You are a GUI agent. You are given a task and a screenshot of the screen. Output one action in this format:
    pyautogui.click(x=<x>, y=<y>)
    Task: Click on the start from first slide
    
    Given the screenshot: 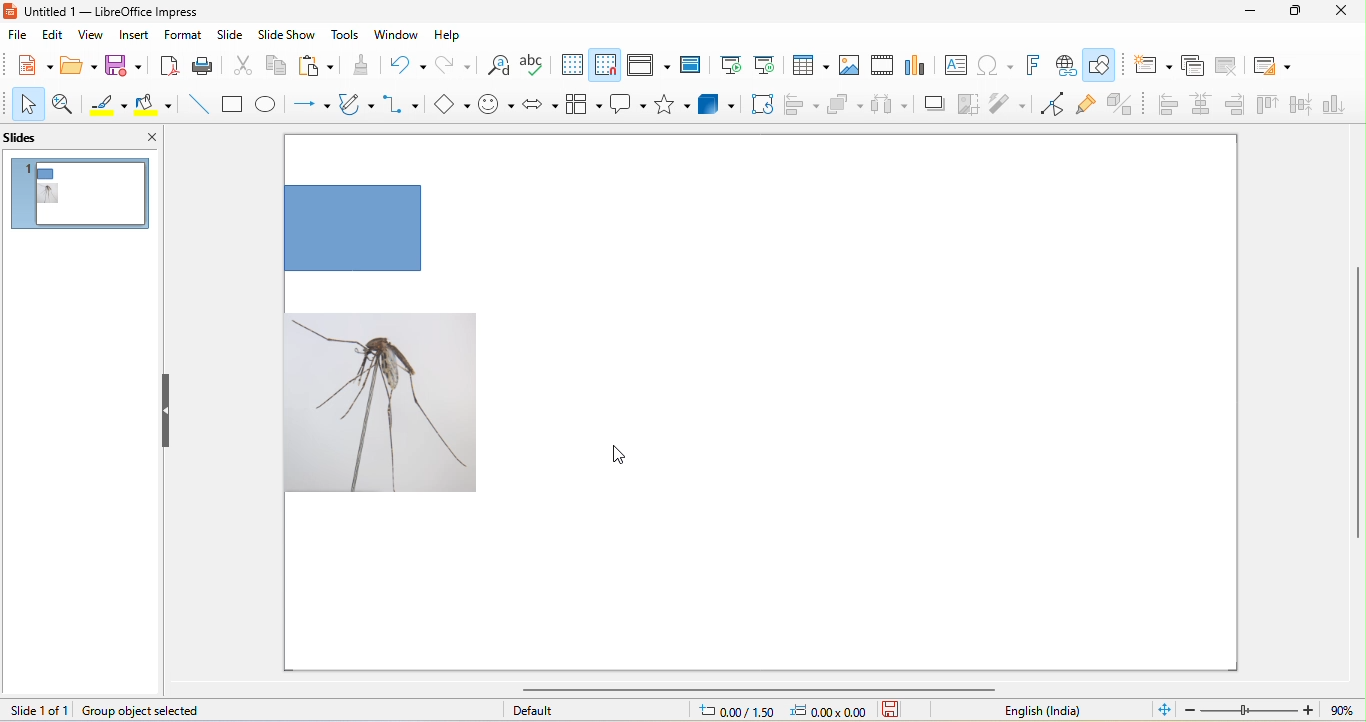 What is the action you would take?
    pyautogui.click(x=734, y=65)
    